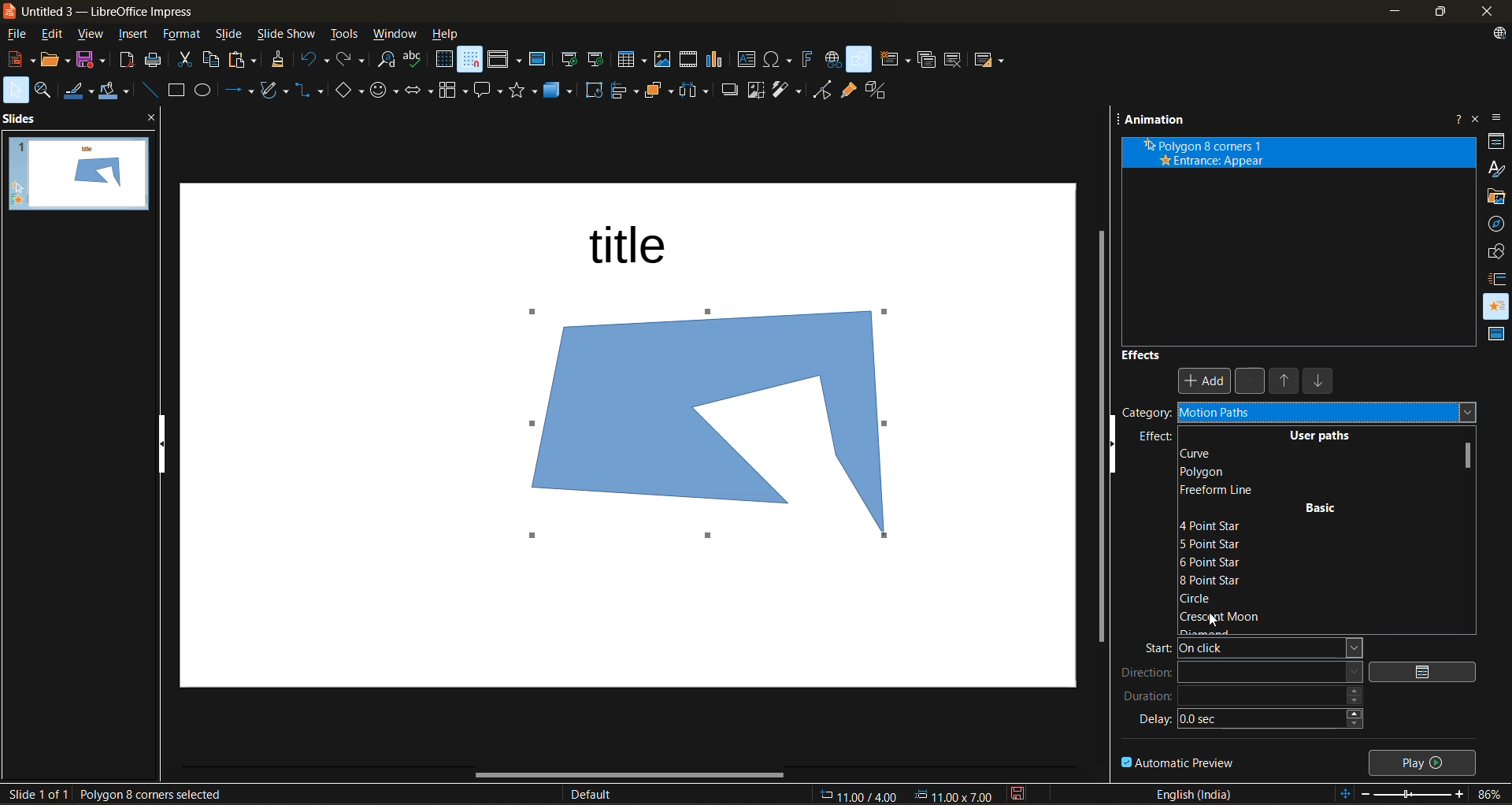 The image size is (1512, 805). Describe the element at coordinates (17, 90) in the screenshot. I see `select` at that location.